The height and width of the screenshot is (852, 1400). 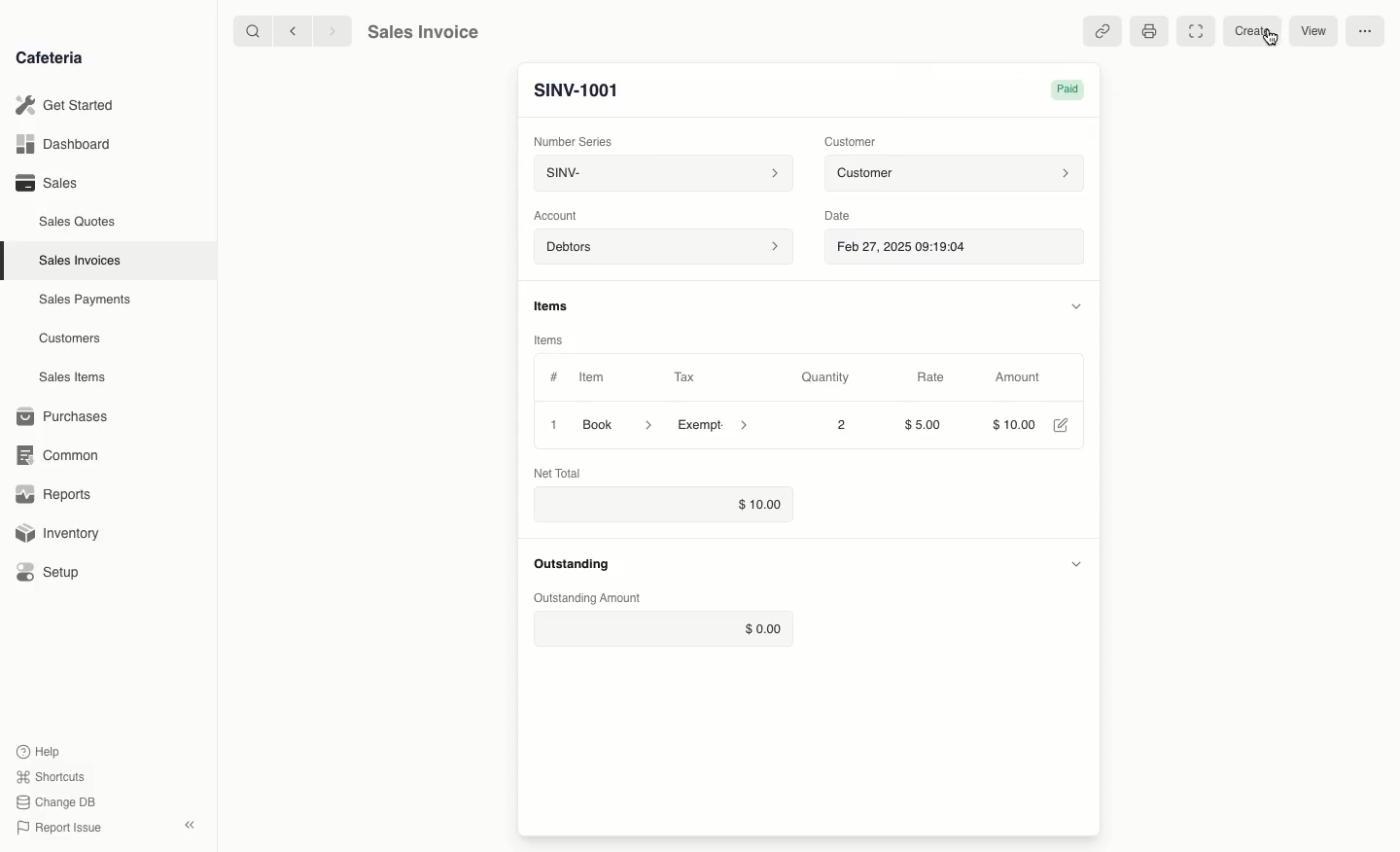 What do you see at coordinates (1249, 32) in the screenshot?
I see `create` at bounding box center [1249, 32].